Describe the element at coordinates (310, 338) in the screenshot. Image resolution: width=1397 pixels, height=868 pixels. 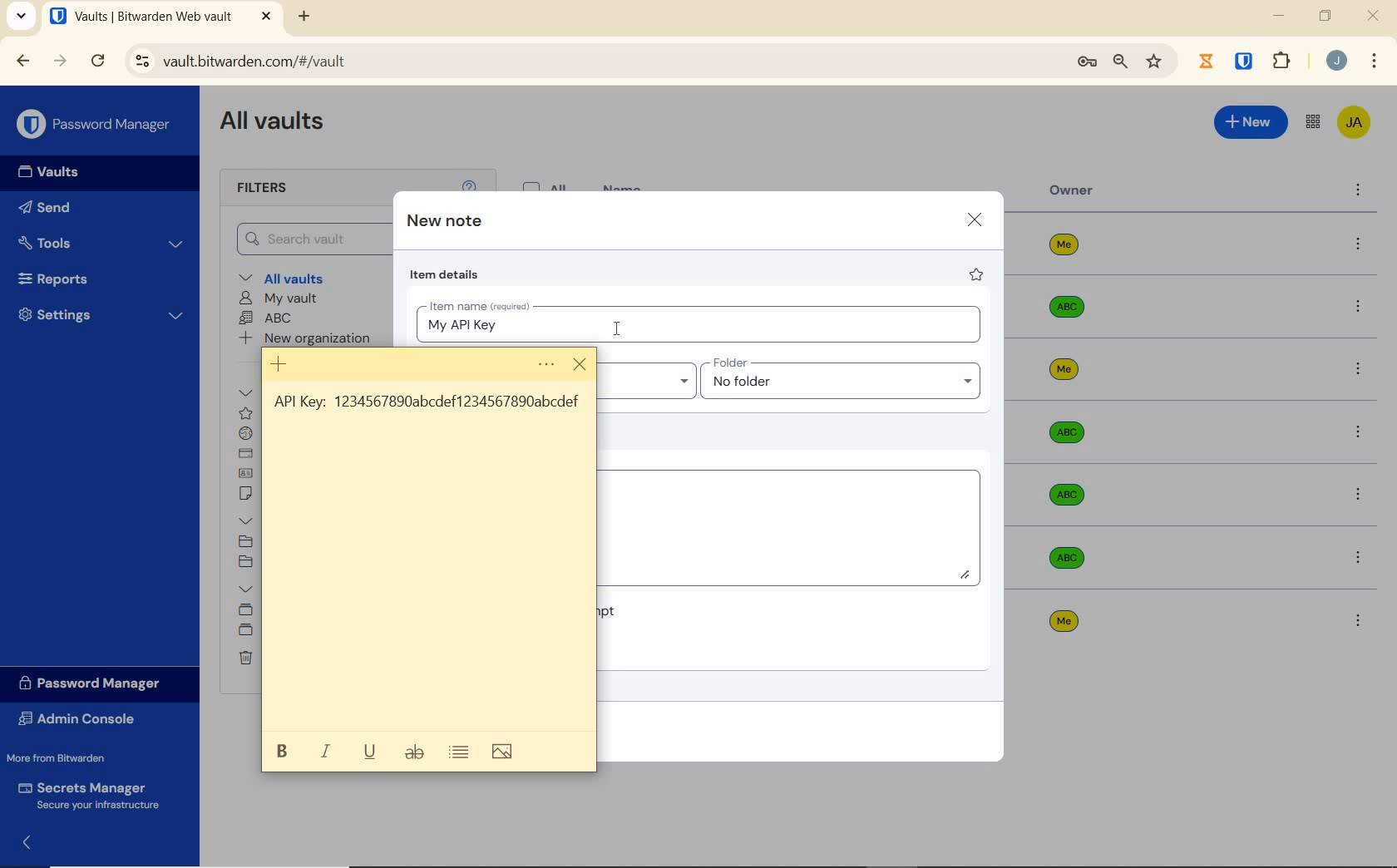
I see `New organization` at that location.